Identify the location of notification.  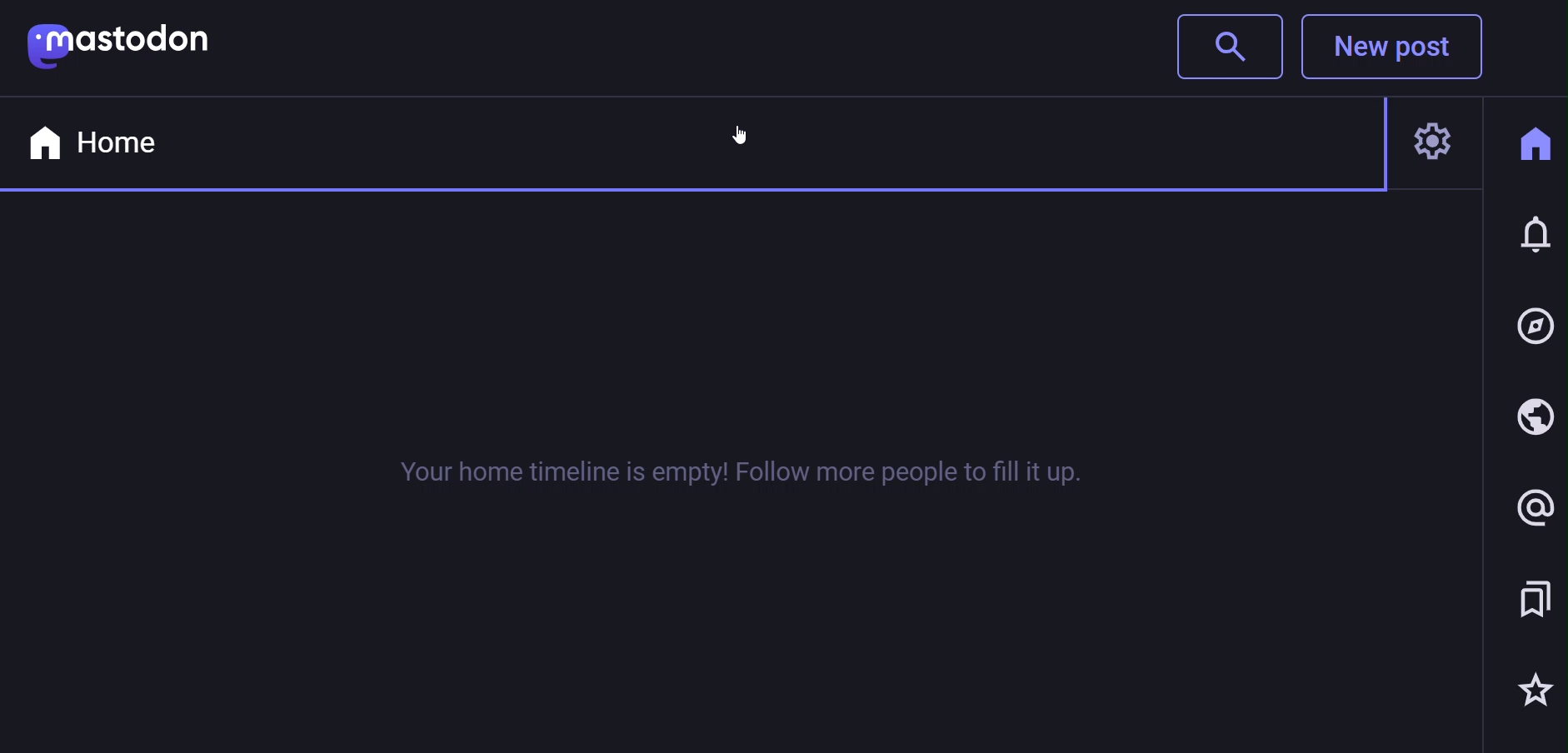
(1536, 239).